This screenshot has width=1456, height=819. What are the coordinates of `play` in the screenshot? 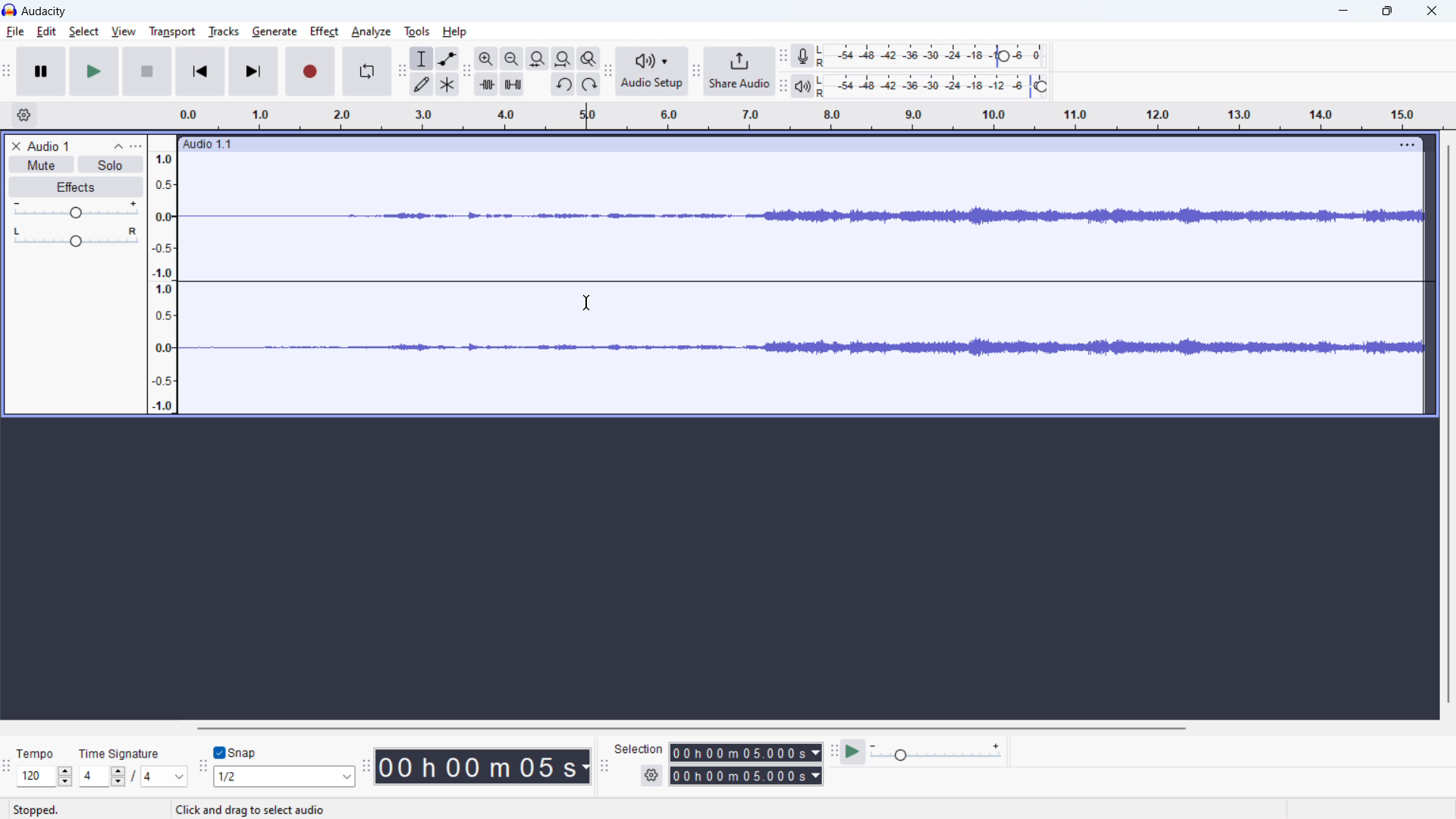 It's located at (94, 72).